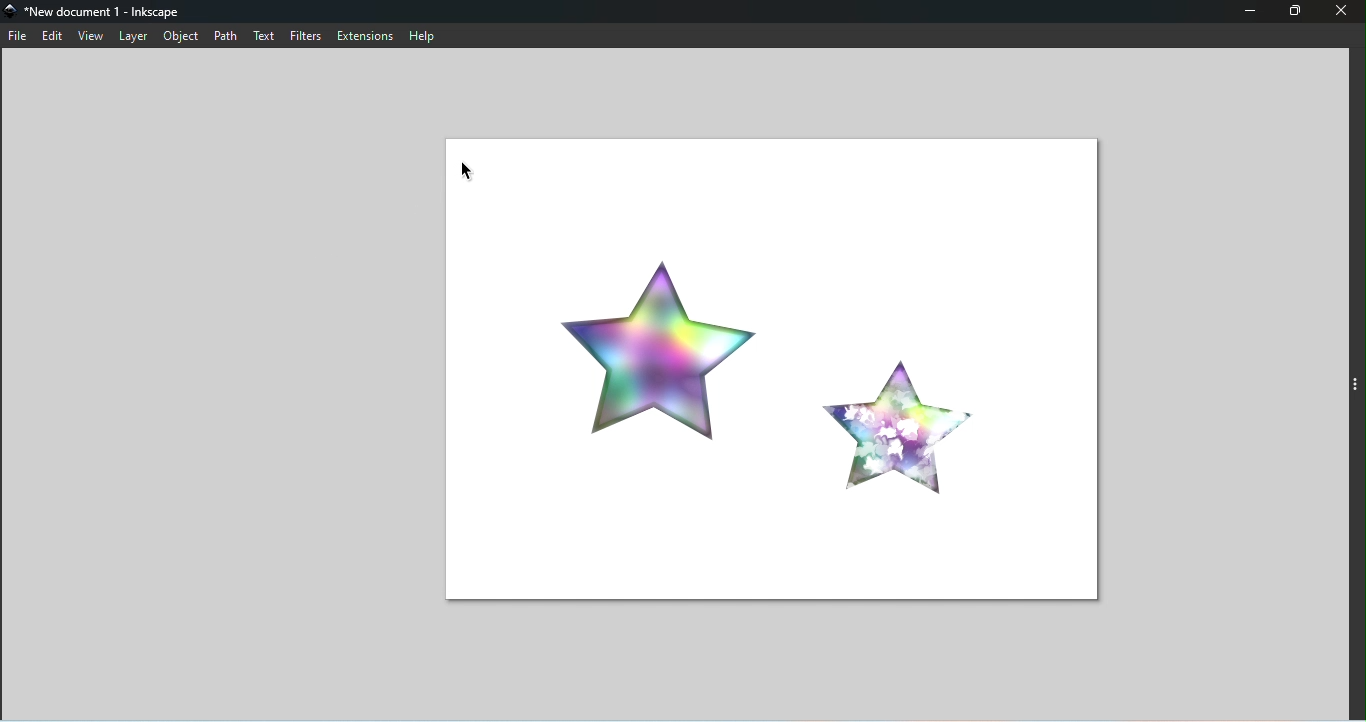  Describe the element at coordinates (425, 35) in the screenshot. I see `Help` at that location.